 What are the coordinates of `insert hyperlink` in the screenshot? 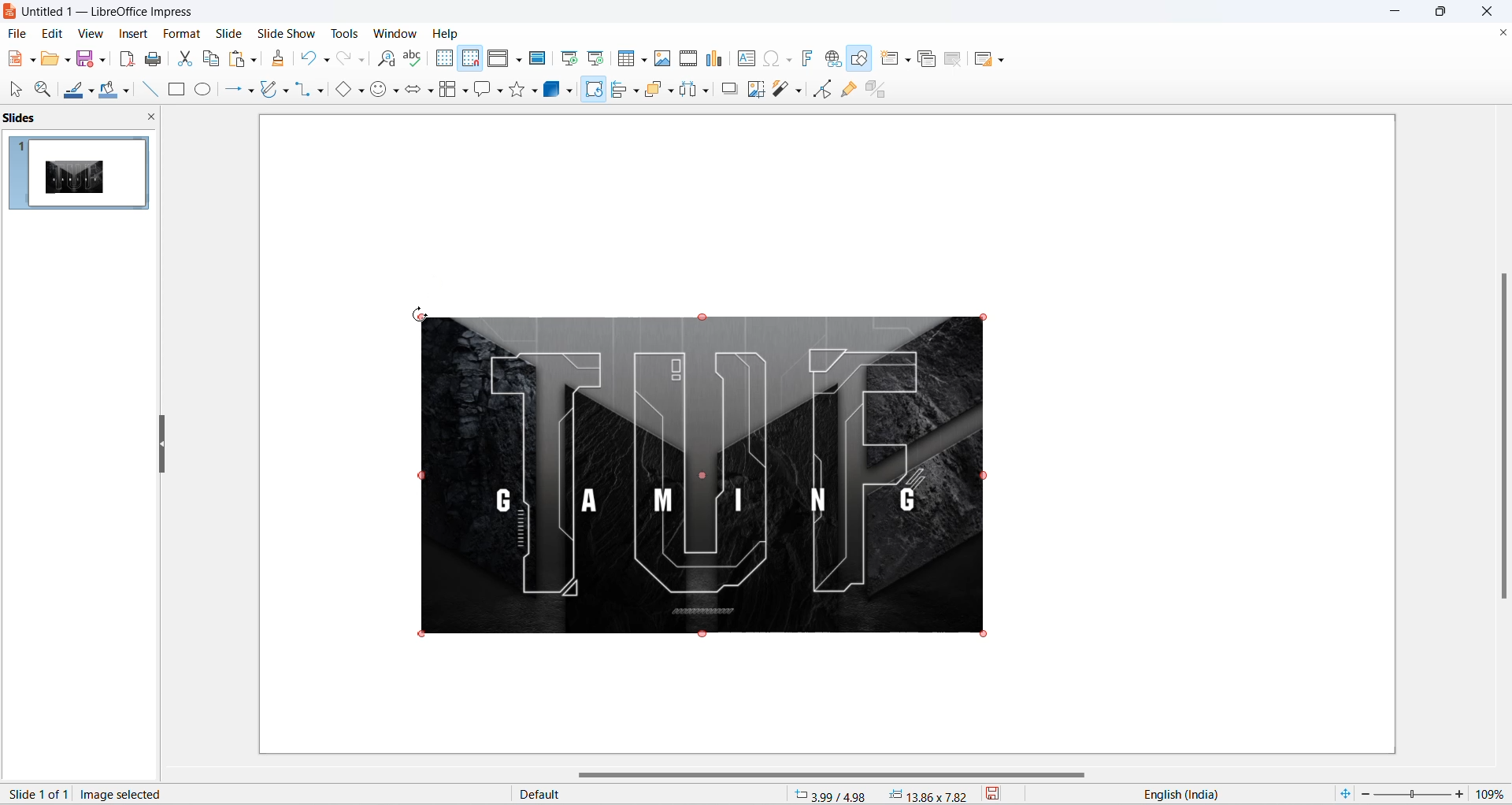 It's located at (835, 60).